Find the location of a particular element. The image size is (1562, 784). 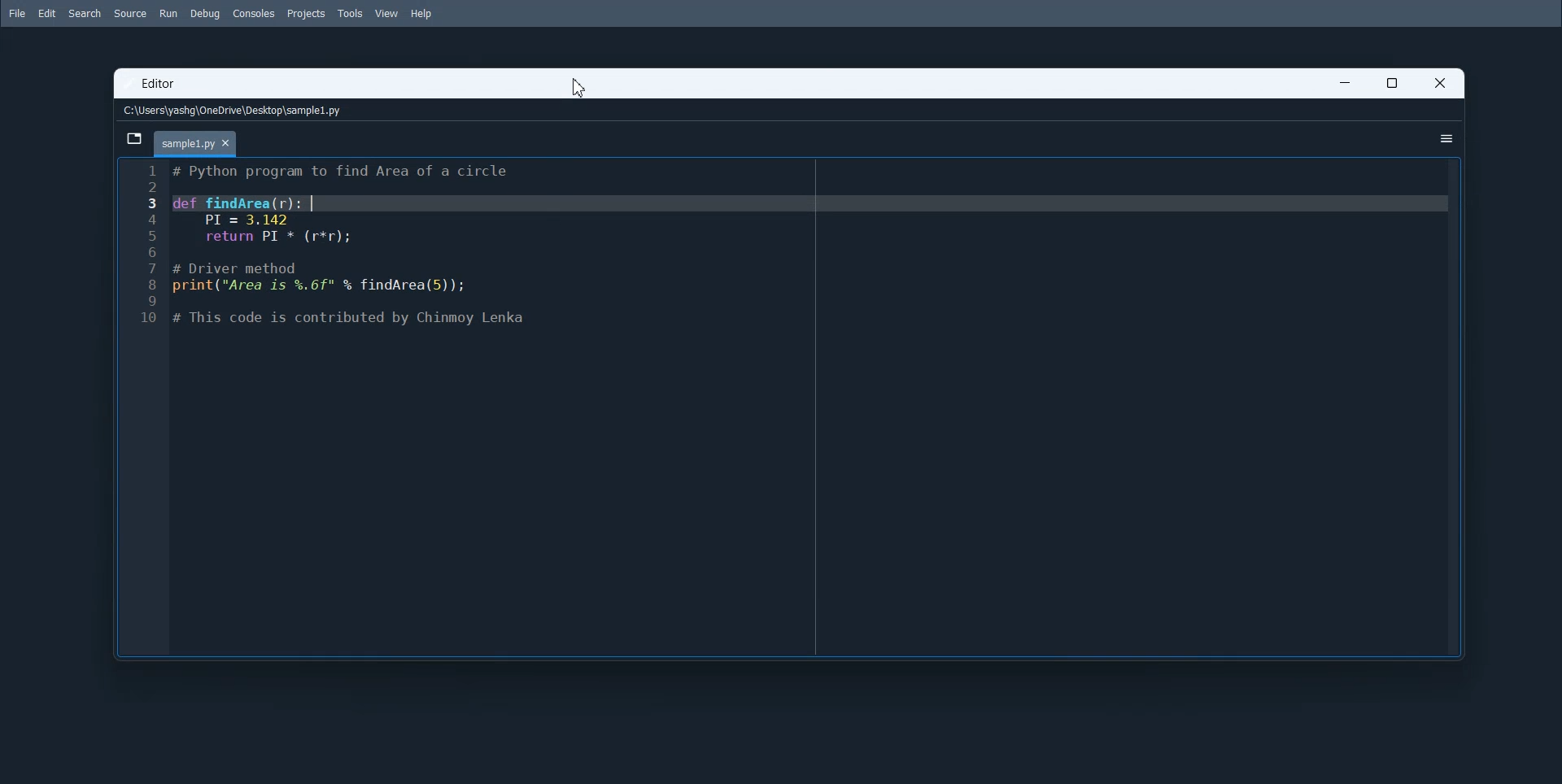

Close is located at coordinates (1439, 83).